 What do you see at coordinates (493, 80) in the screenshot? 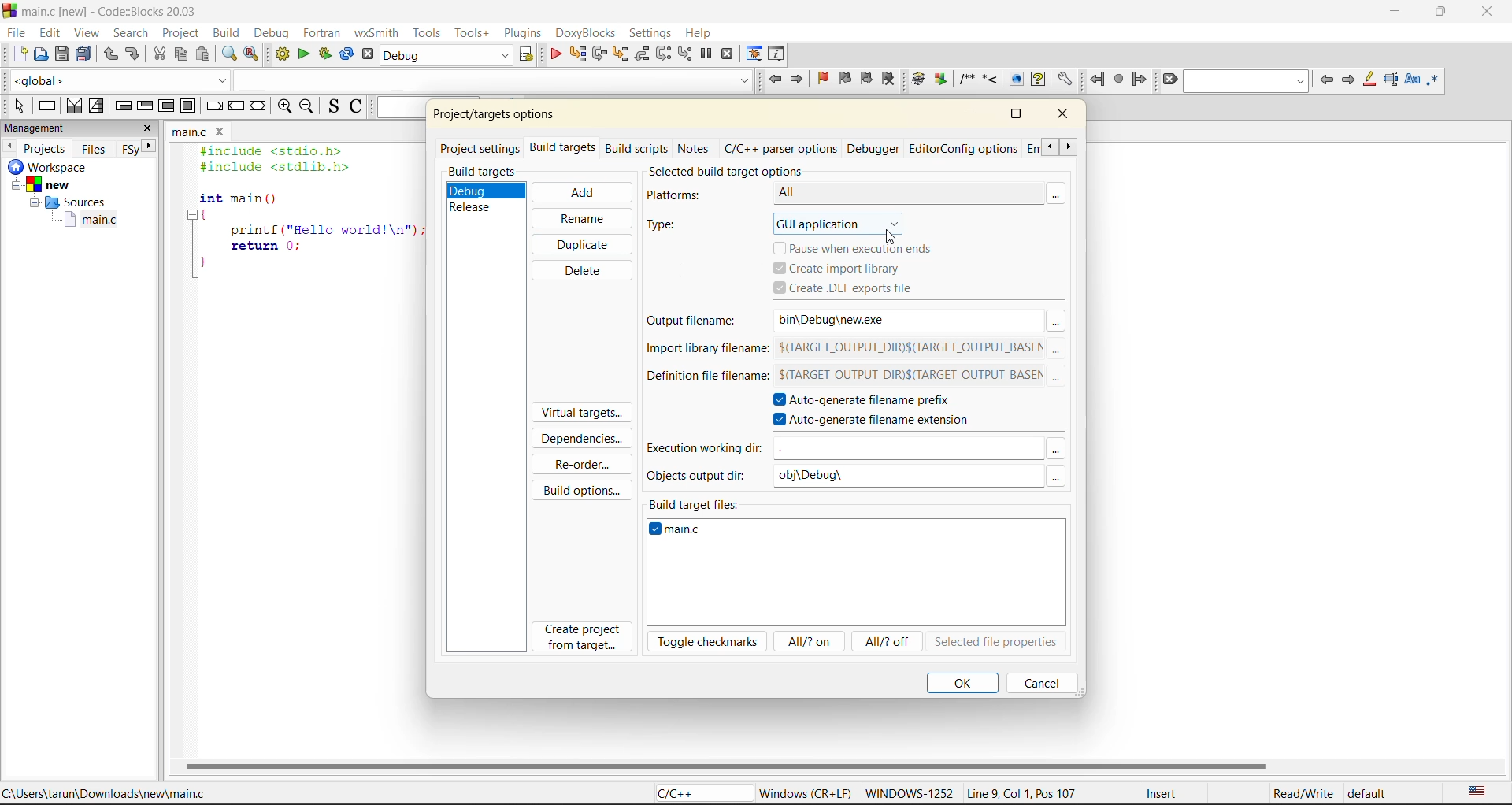
I see `Code Completion Search` at bounding box center [493, 80].